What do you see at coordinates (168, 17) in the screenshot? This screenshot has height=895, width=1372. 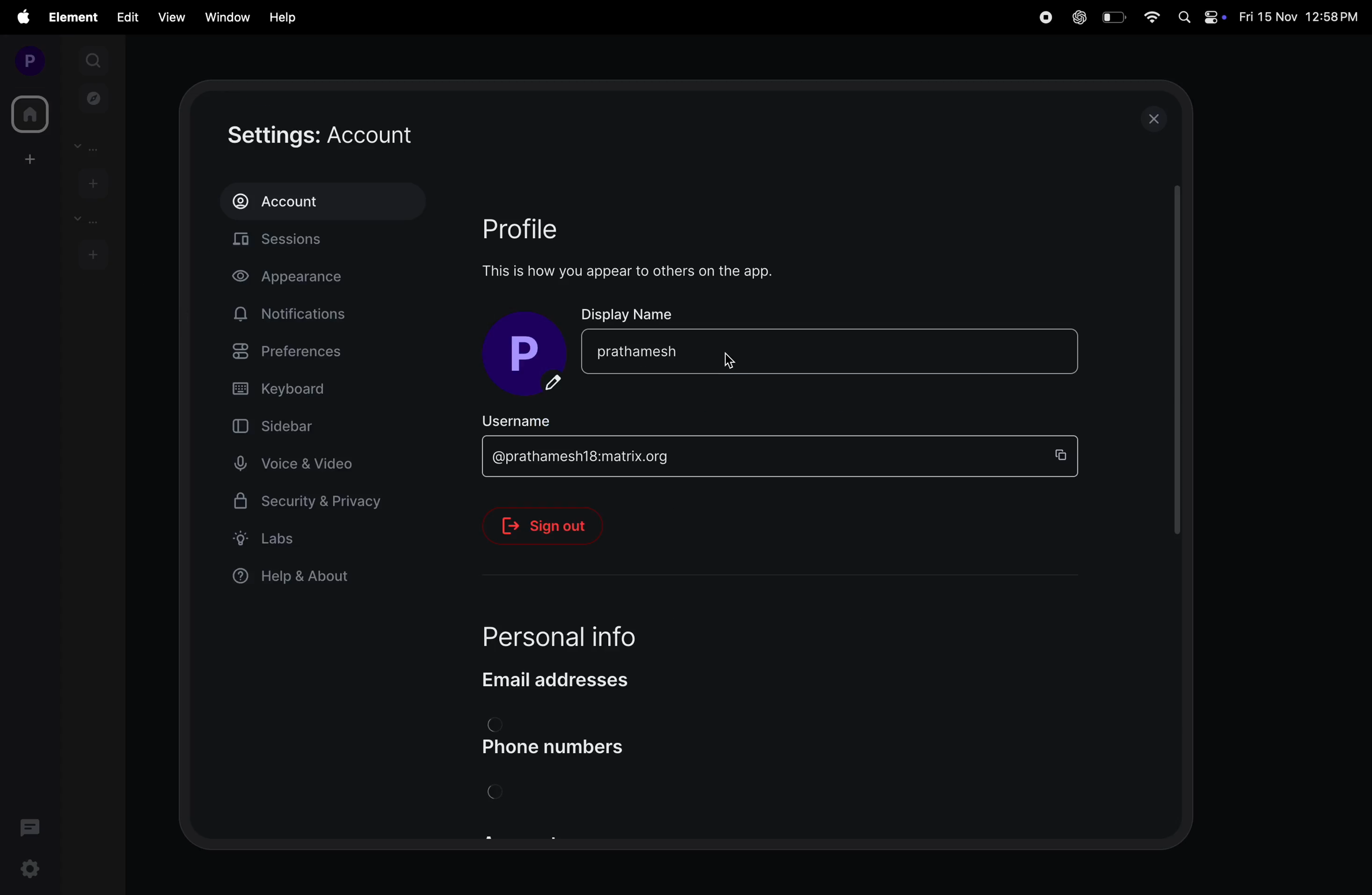 I see `view` at bounding box center [168, 17].